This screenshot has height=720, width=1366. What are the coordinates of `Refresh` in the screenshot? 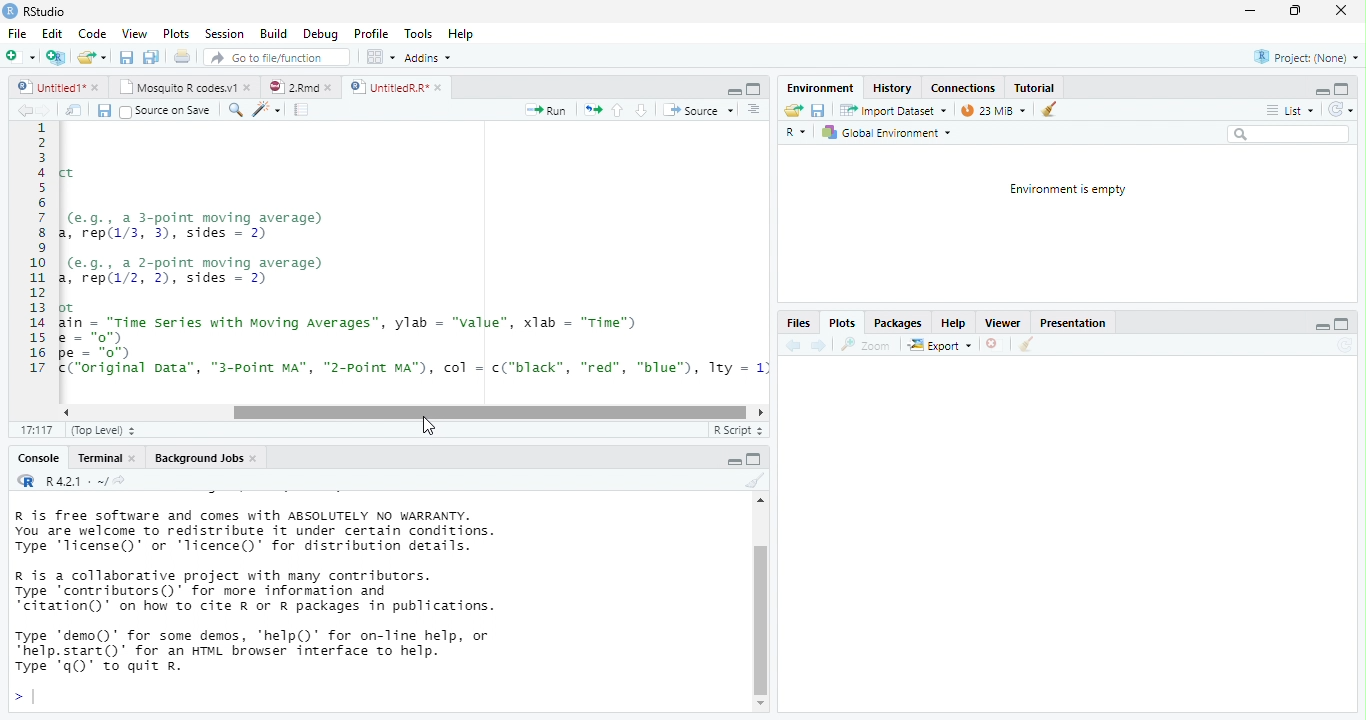 It's located at (1345, 345).